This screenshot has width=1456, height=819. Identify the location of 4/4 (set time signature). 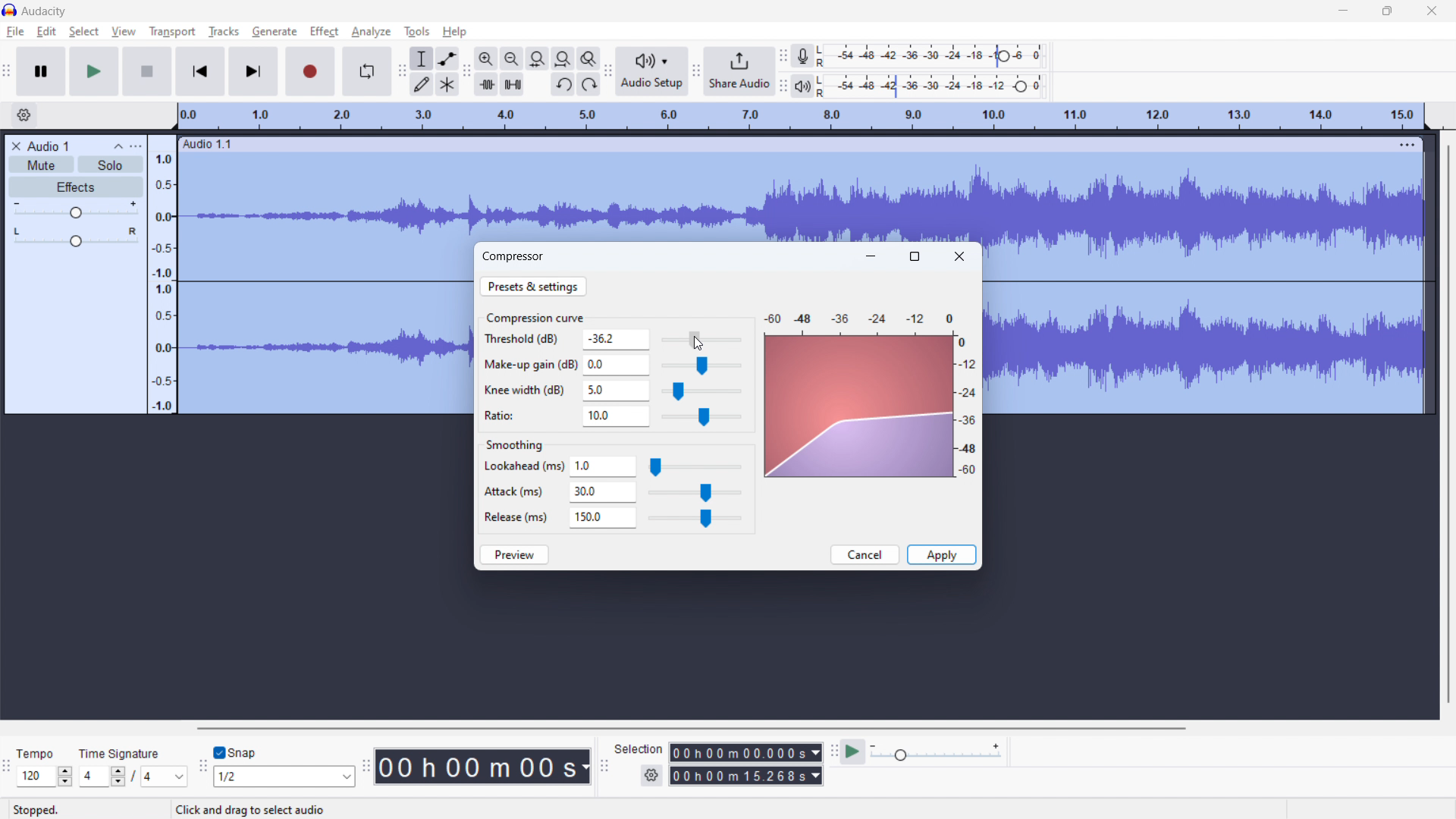
(133, 777).